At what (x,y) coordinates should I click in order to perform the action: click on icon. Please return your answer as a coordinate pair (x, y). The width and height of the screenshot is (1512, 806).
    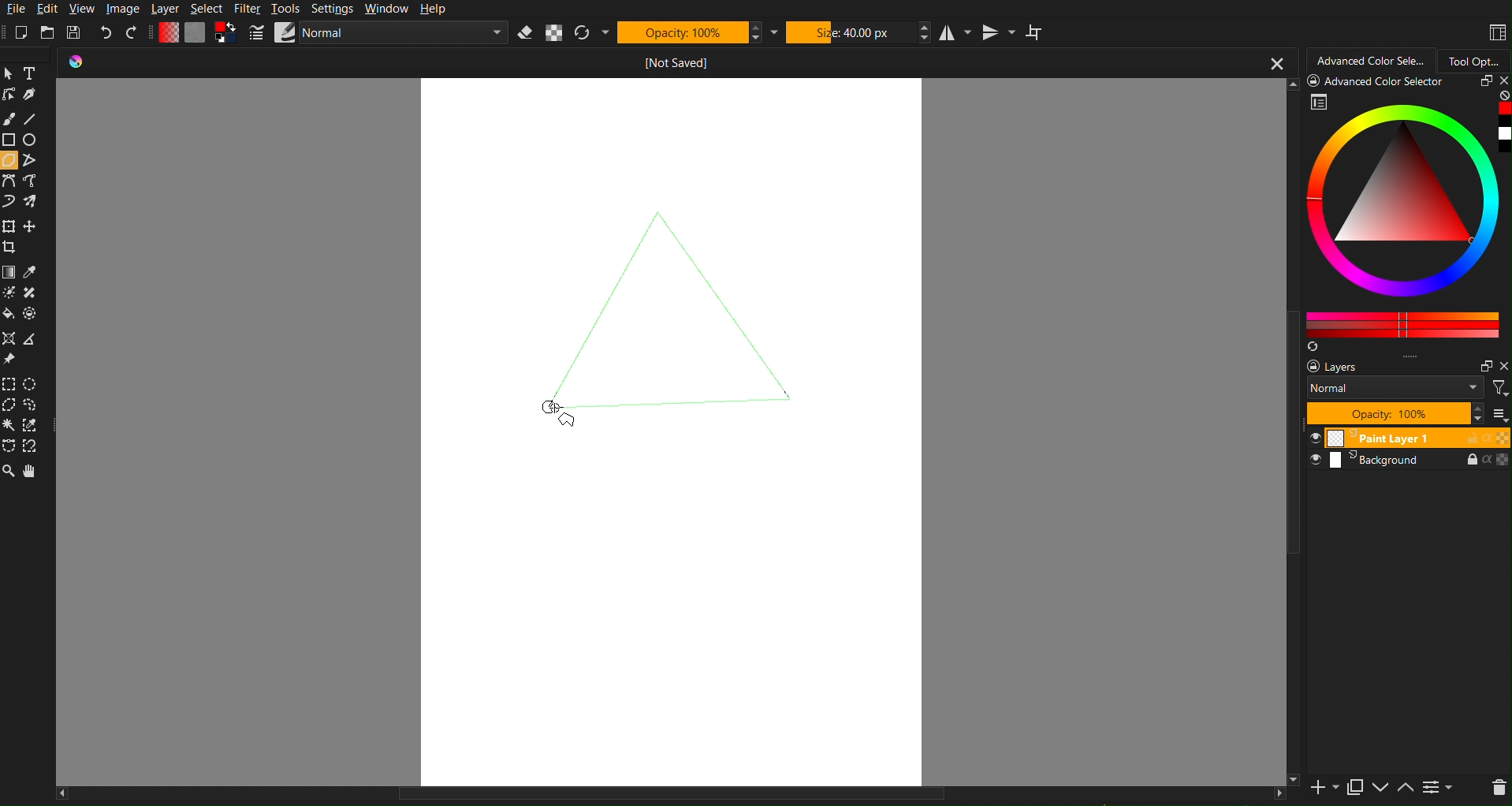
    Looking at the image, I should click on (83, 63).